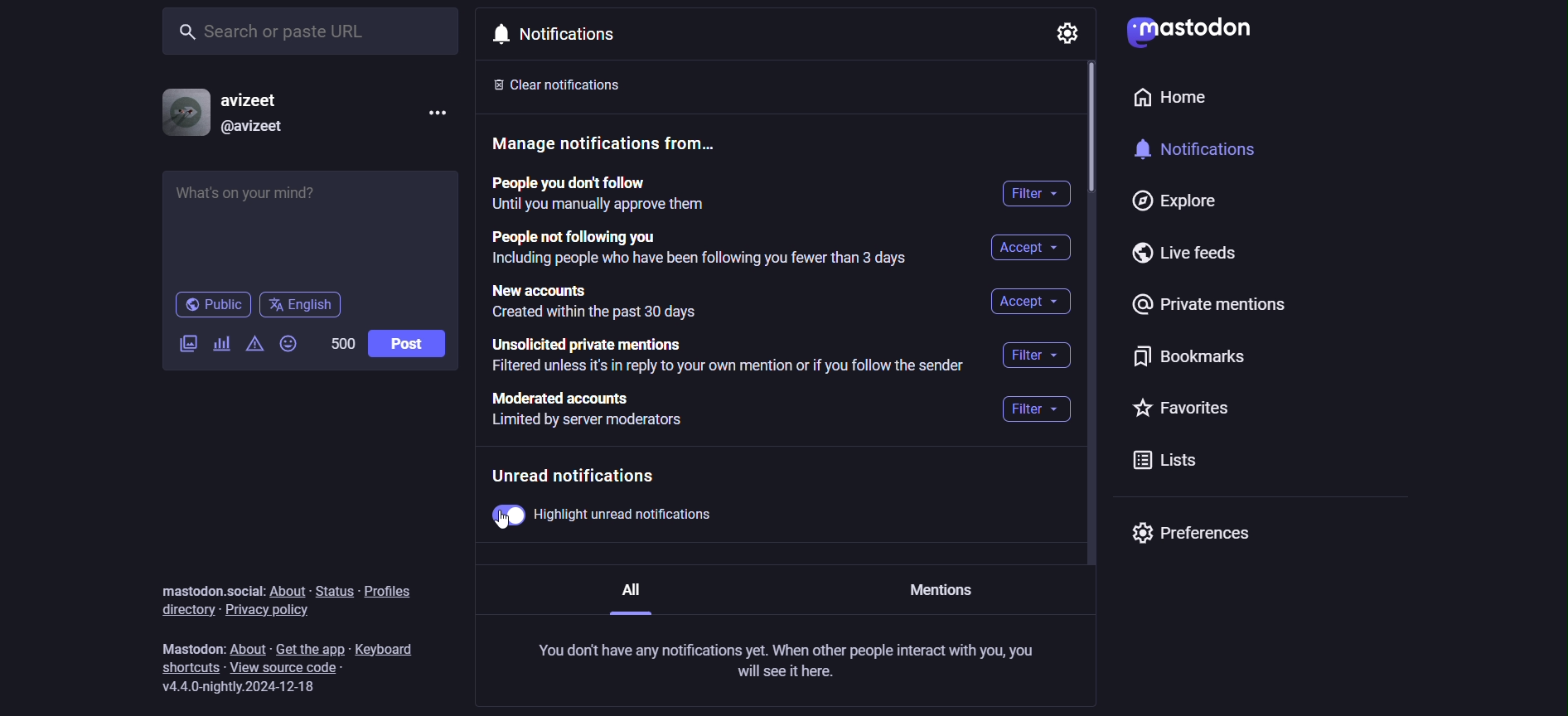 The height and width of the screenshot is (716, 1568). What do you see at coordinates (312, 226) in the screenshot?
I see `whats on your mind` at bounding box center [312, 226].